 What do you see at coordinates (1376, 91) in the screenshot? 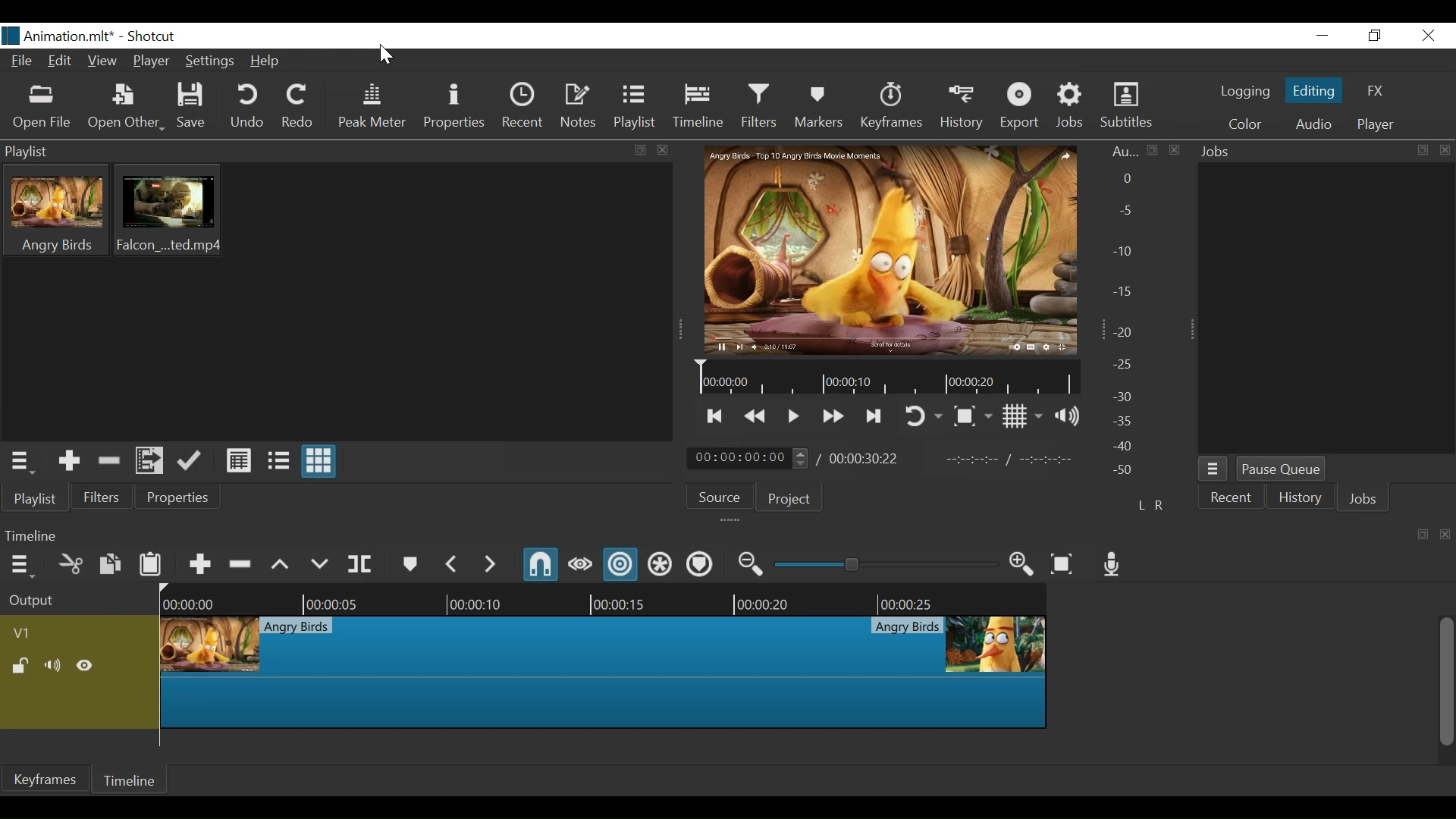
I see `FX` at bounding box center [1376, 91].